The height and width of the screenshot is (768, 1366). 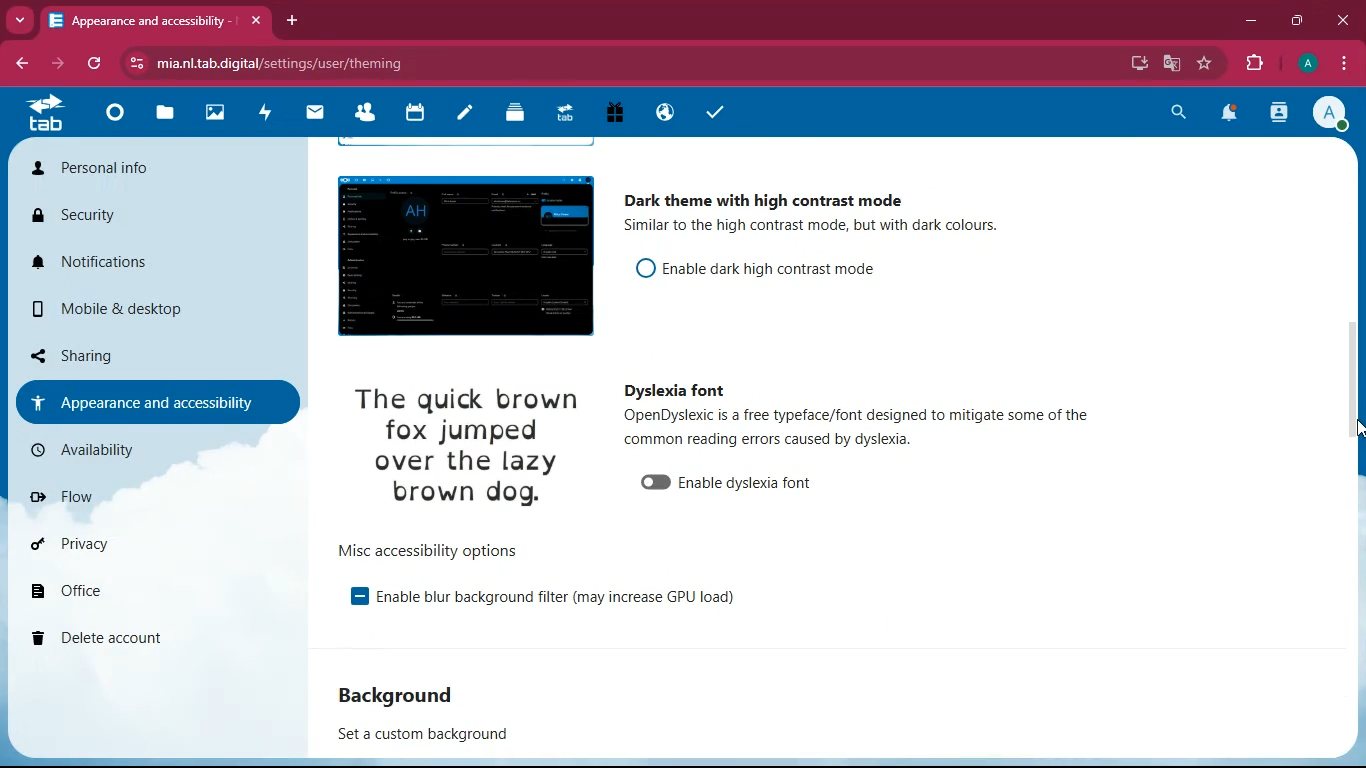 I want to click on office, so click(x=137, y=585).